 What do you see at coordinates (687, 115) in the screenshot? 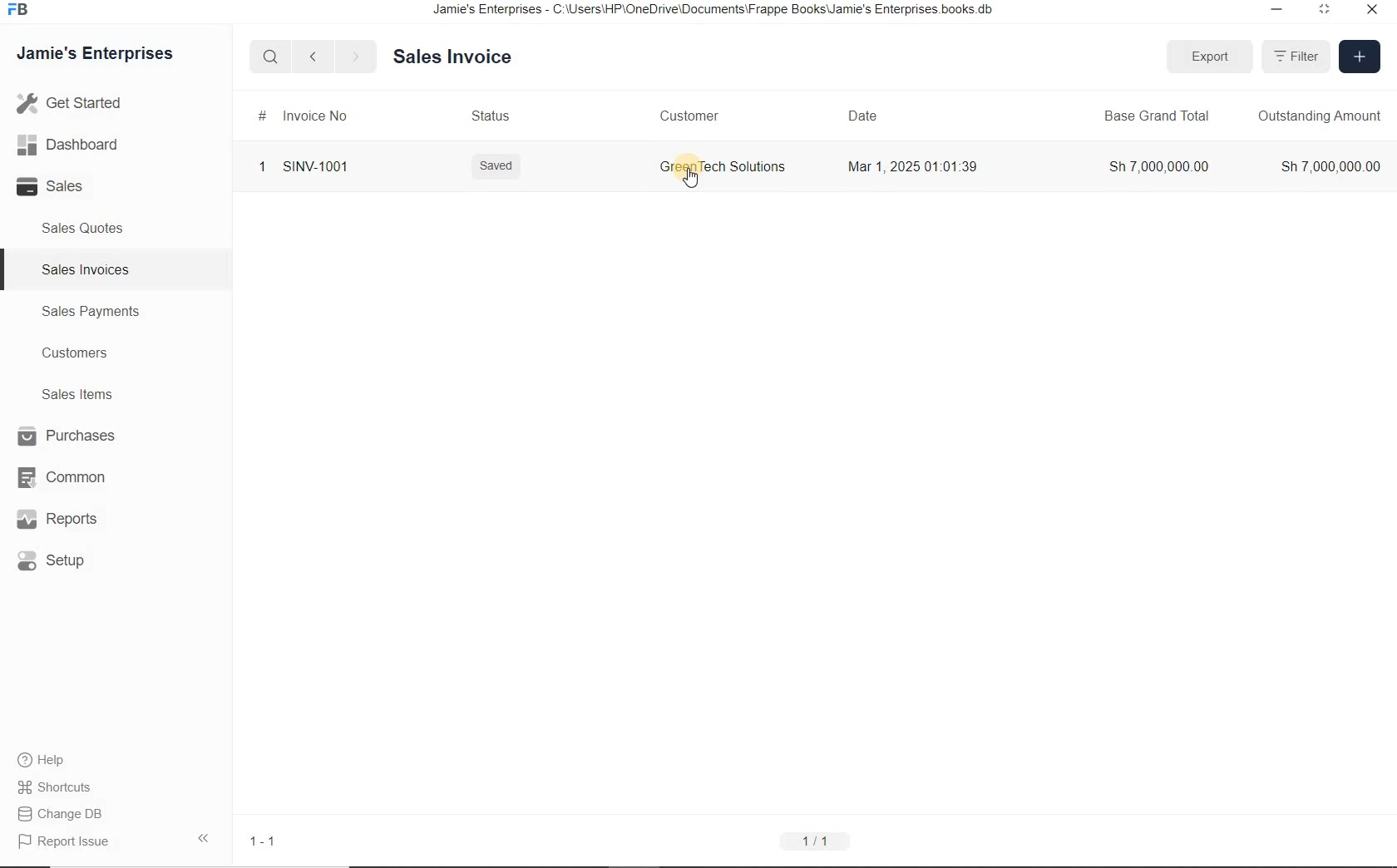
I see `Customer` at bounding box center [687, 115].